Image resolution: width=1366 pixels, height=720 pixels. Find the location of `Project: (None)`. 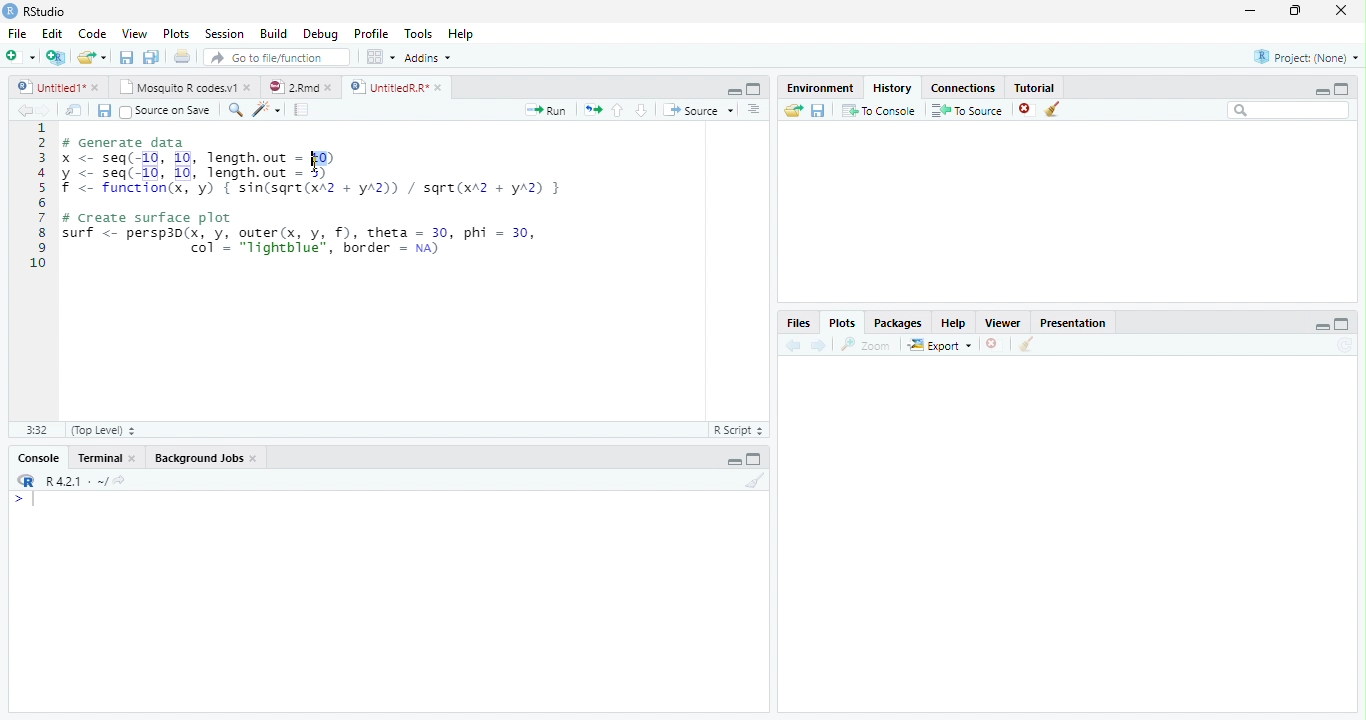

Project: (None) is located at coordinates (1306, 57).